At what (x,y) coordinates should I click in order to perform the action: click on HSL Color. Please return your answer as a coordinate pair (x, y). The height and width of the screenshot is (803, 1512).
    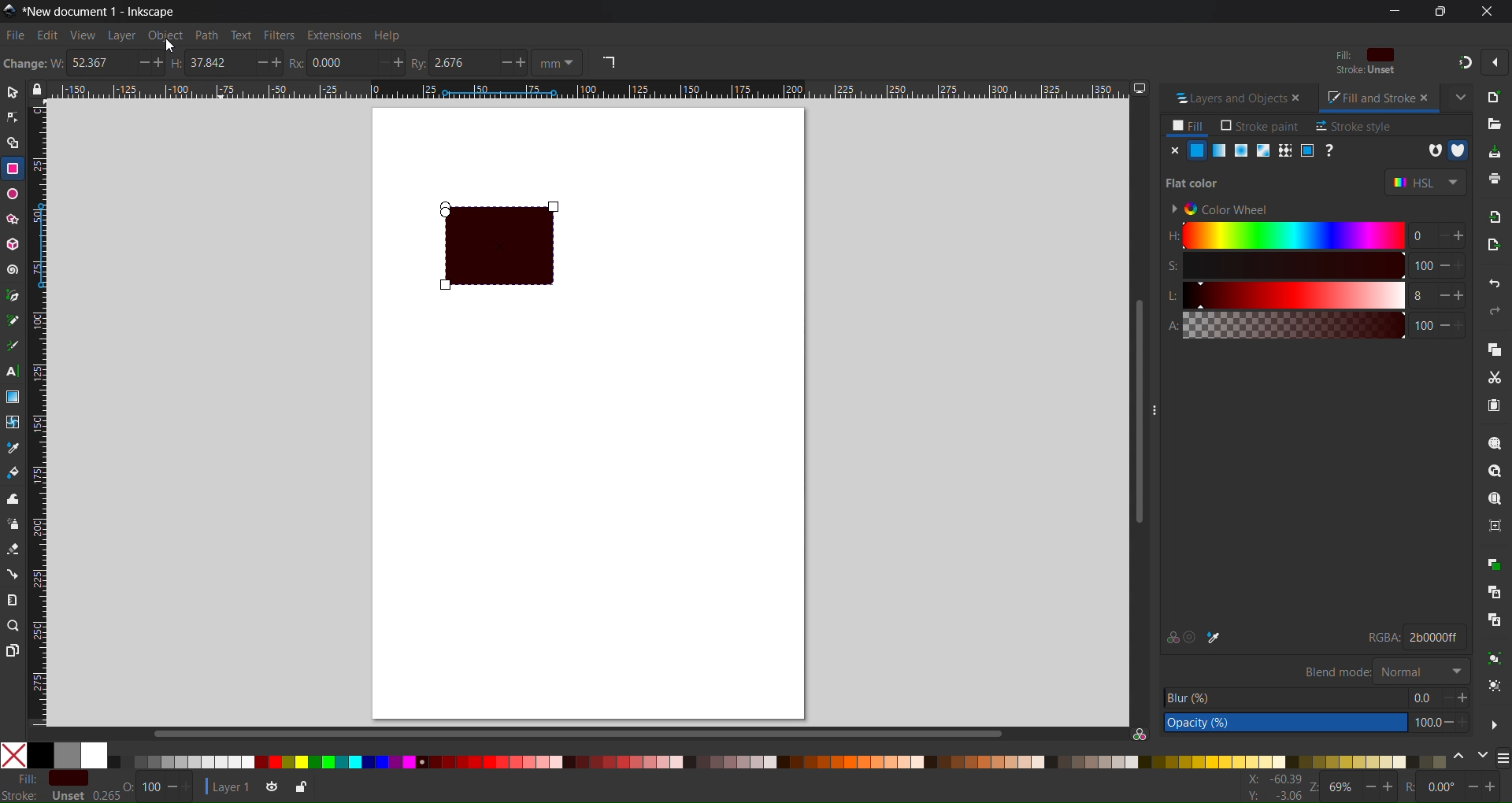
    Looking at the image, I should click on (1425, 183).